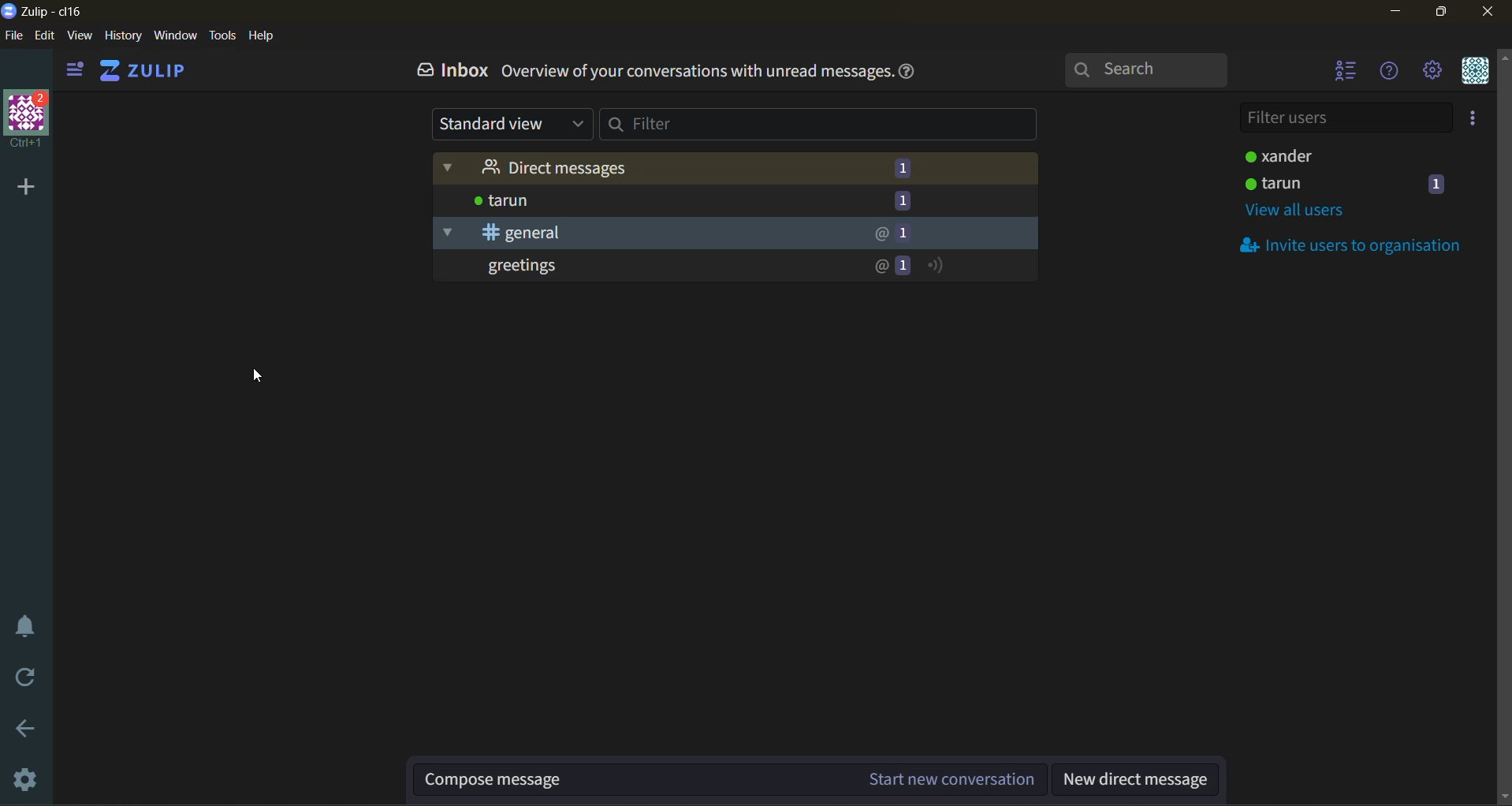  I want to click on window, so click(173, 35).